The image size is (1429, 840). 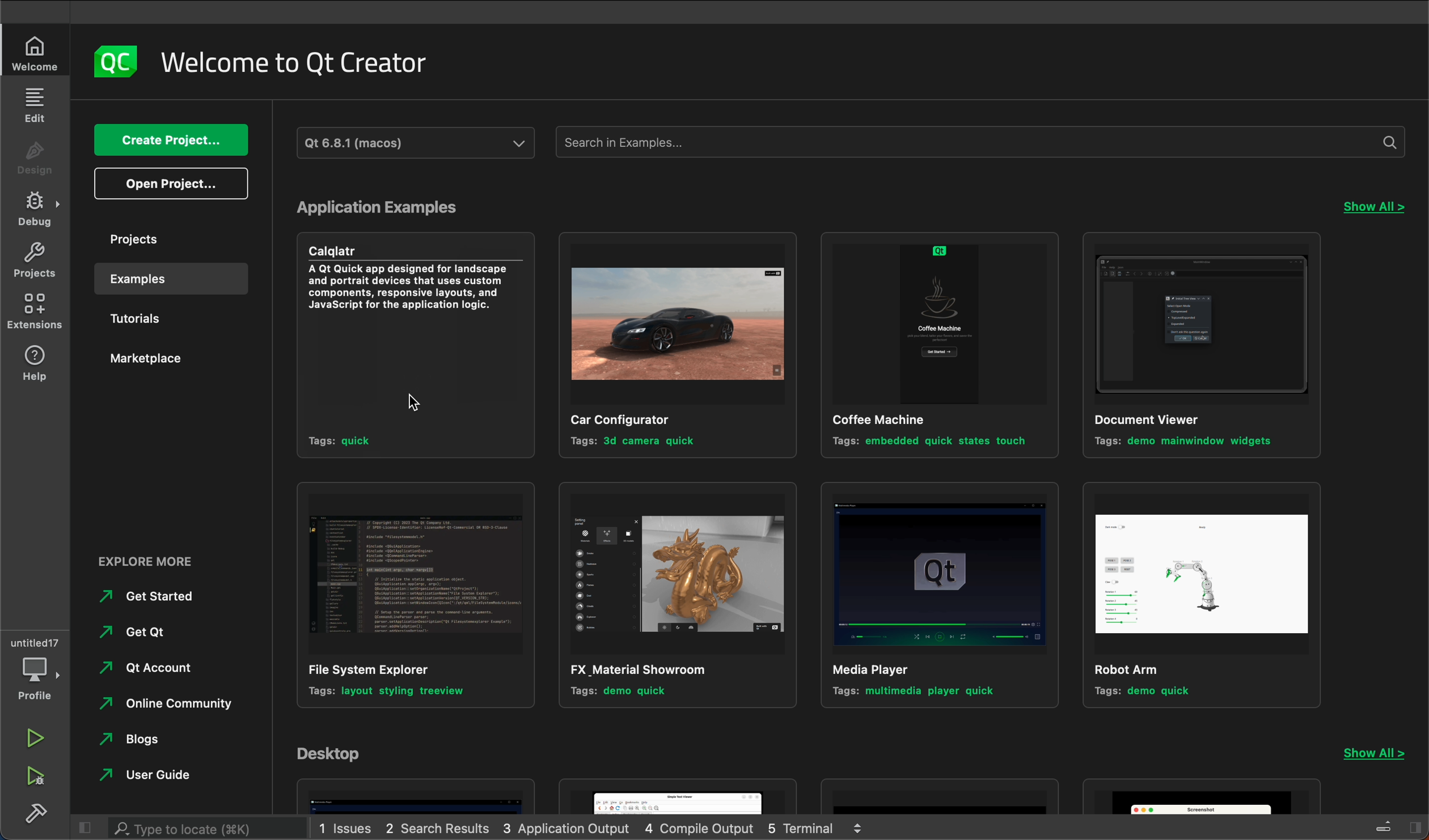 What do you see at coordinates (170, 359) in the screenshot?
I see `market place` at bounding box center [170, 359].